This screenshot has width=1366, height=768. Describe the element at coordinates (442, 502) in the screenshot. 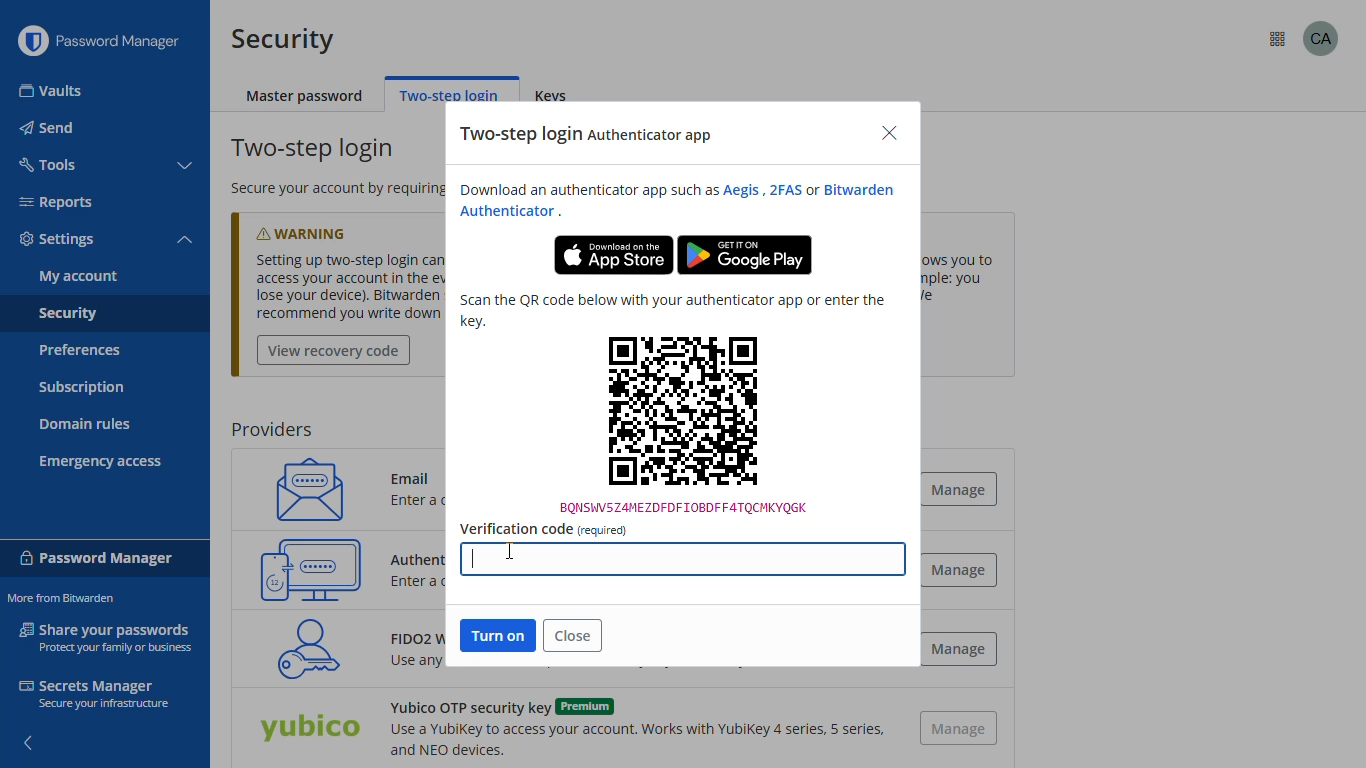

I see `Enter a code sent to your email.` at that location.